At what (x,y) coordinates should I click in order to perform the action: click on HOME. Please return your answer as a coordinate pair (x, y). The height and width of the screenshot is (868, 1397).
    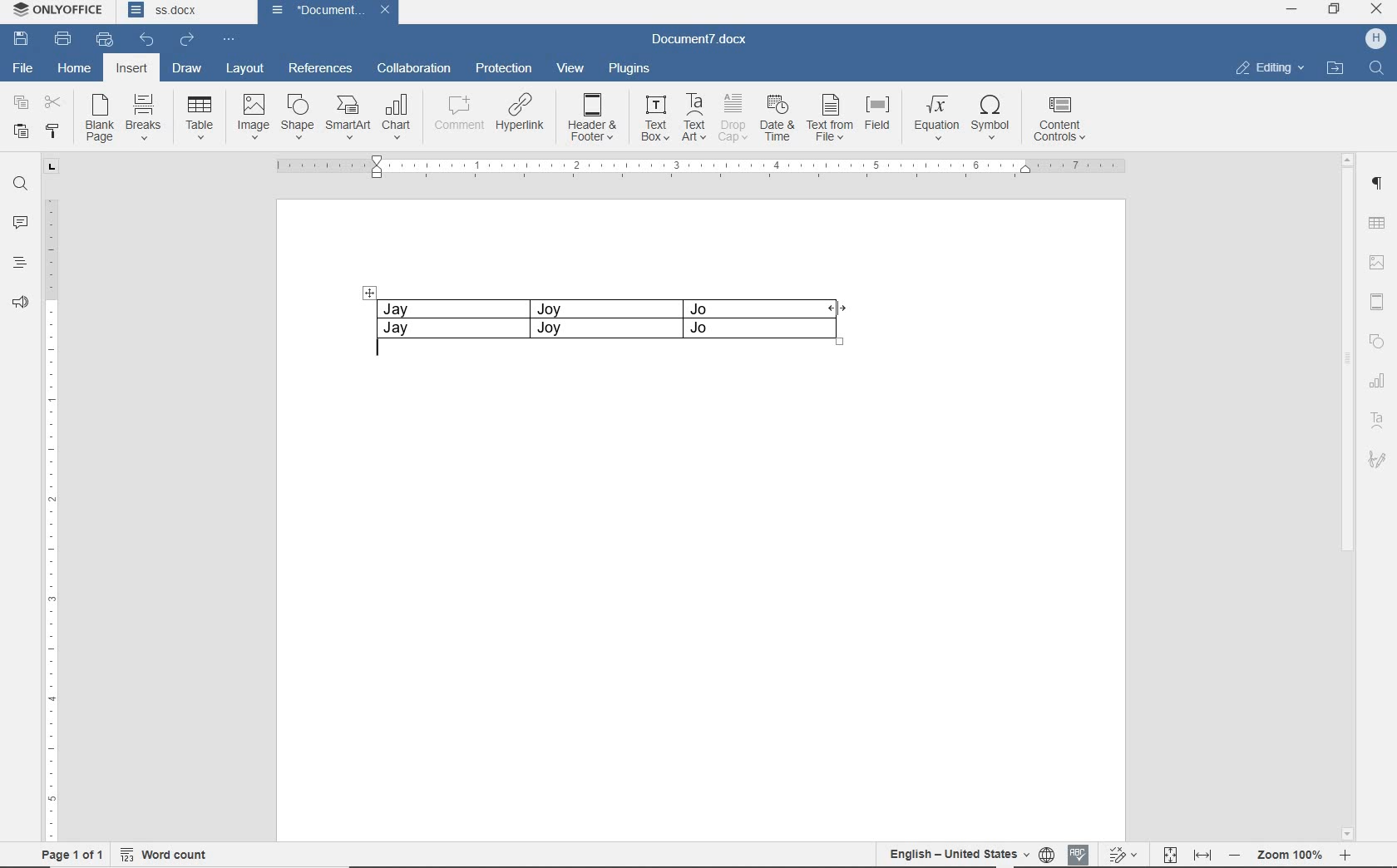
    Looking at the image, I should click on (76, 67).